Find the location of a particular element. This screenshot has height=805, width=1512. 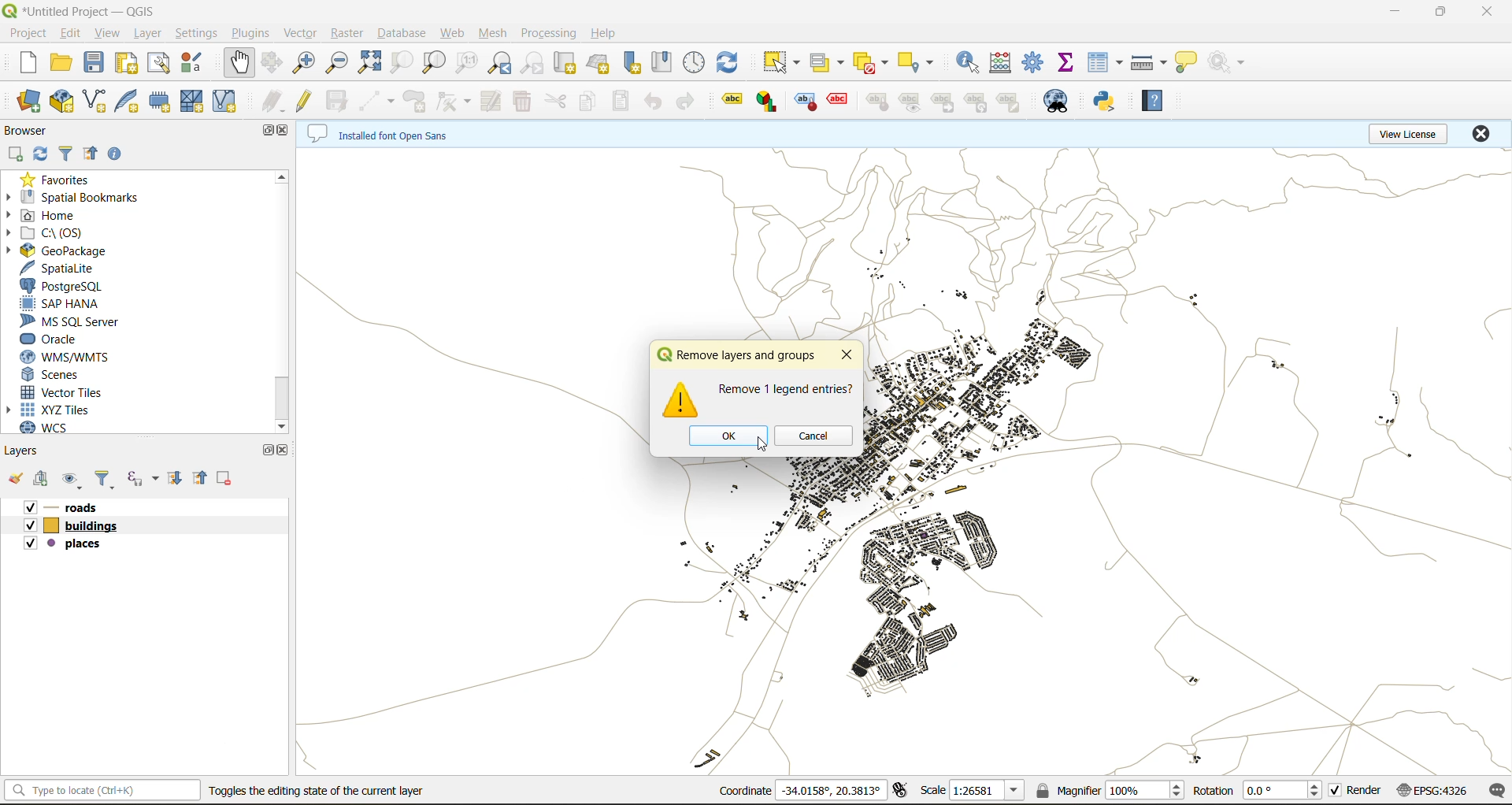

oracle is located at coordinates (61, 340).